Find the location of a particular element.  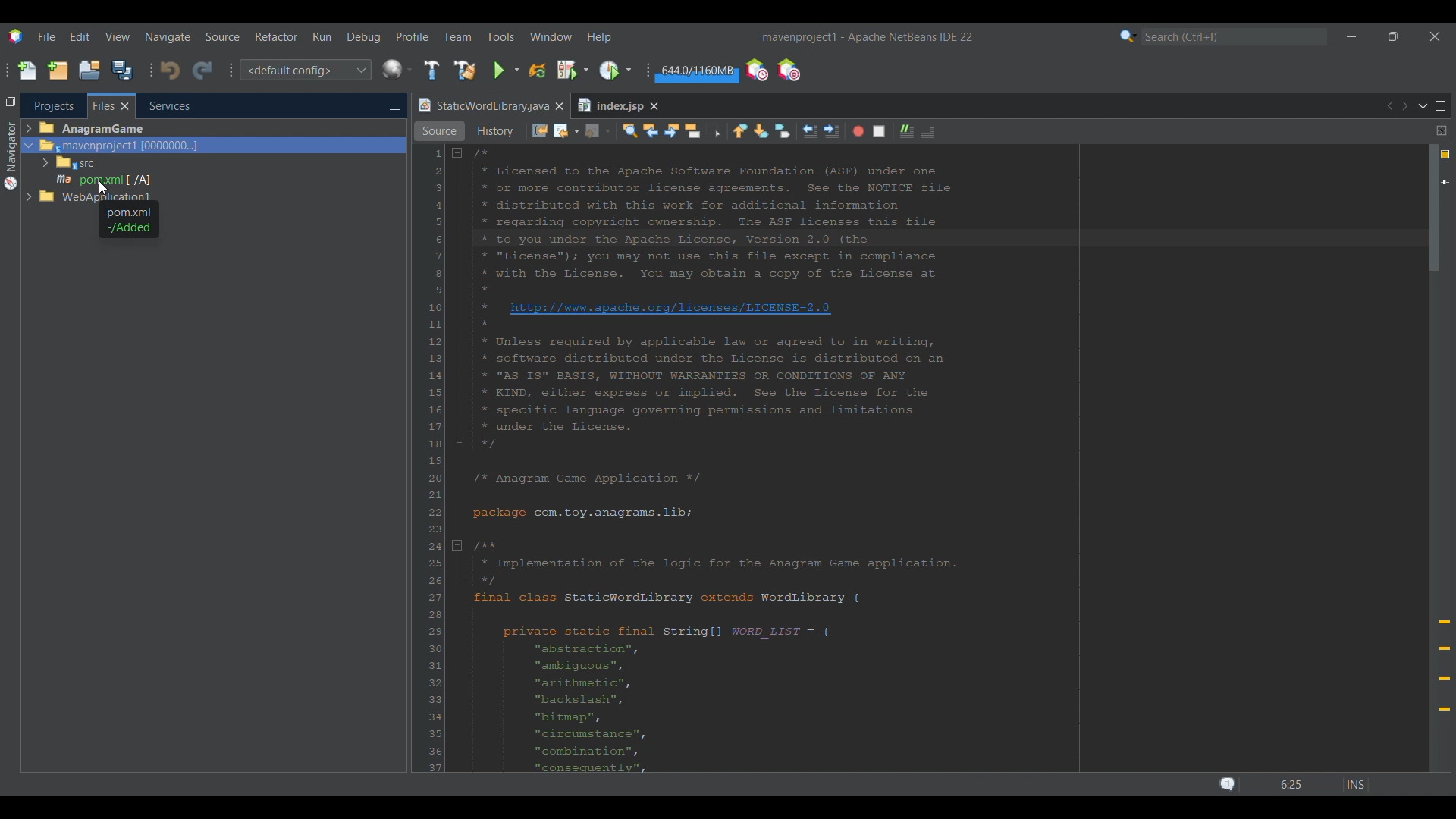

Build main project is located at coordinates (431, 70).